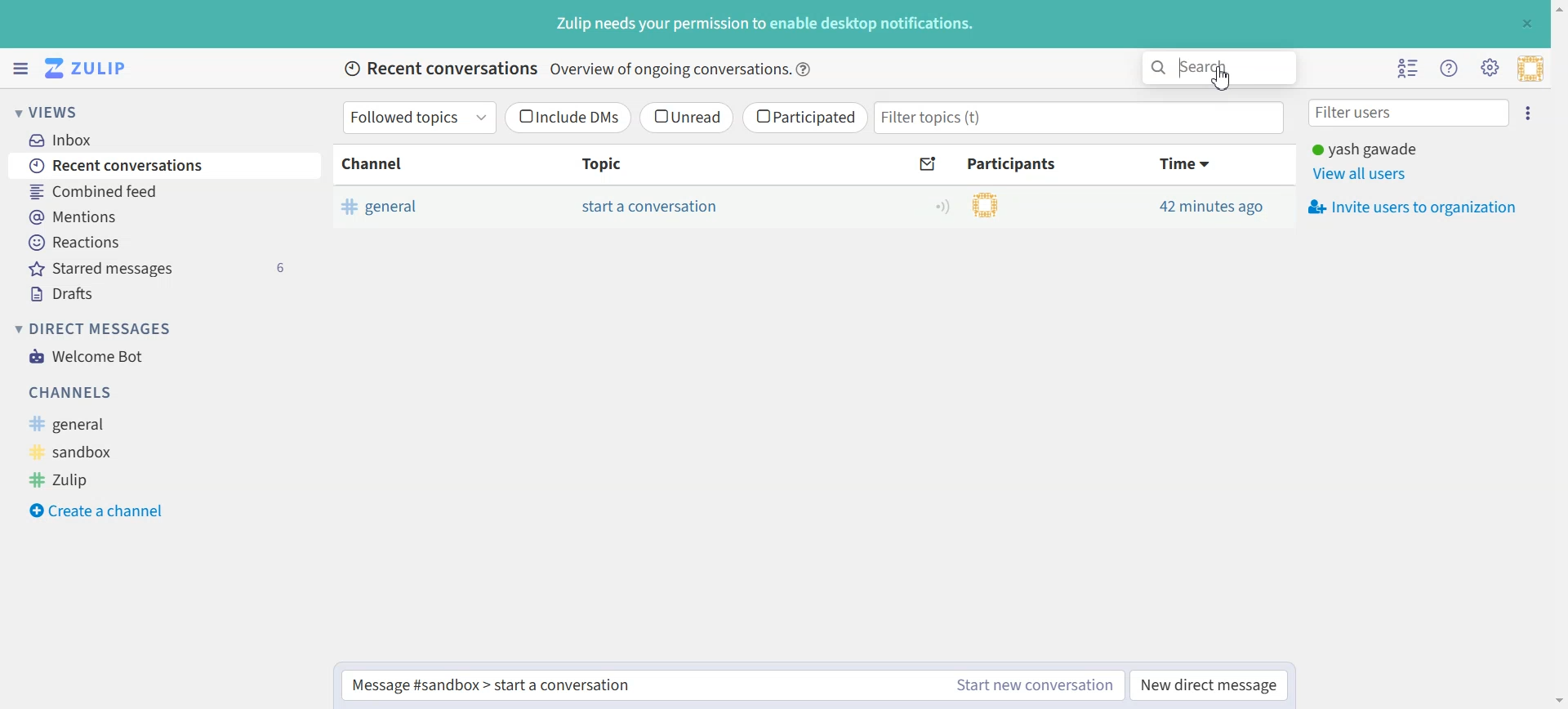 This screenshot has height=709, width=1568. Describe the element at coordinates (94, 450) in the screenshot. I see `sandbox` at that location.